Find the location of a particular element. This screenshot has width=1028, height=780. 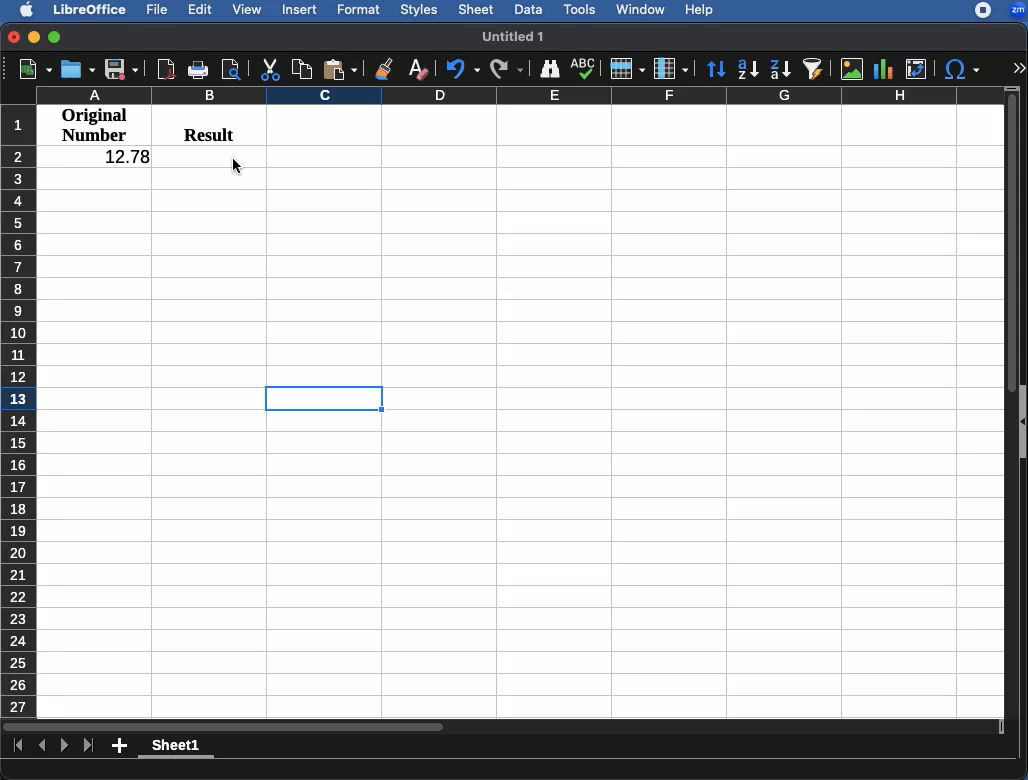

Rows is located at coordinates (19, 411).